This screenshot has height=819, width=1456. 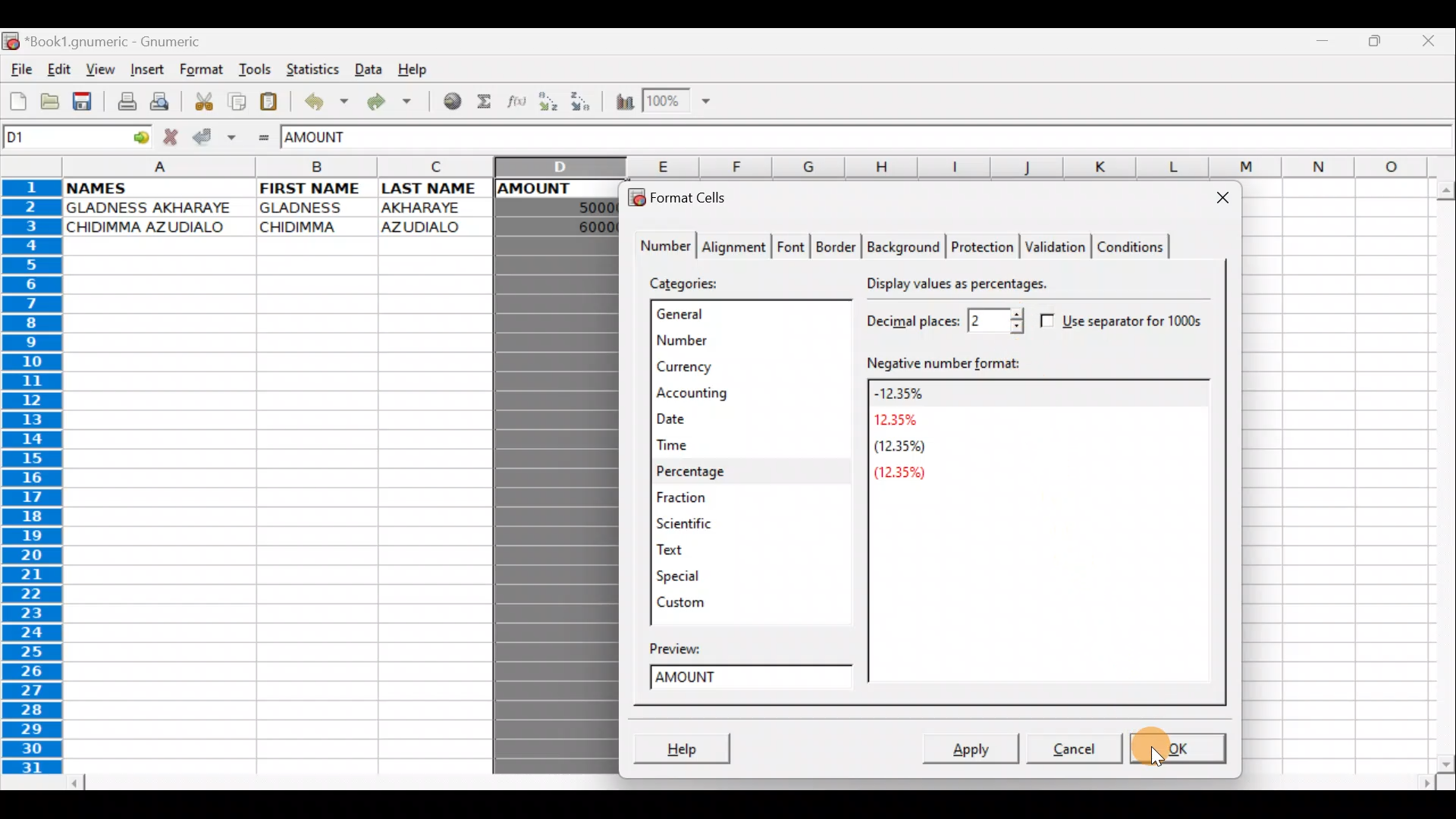 I want to click on (12%), so click(x=905, y=474).